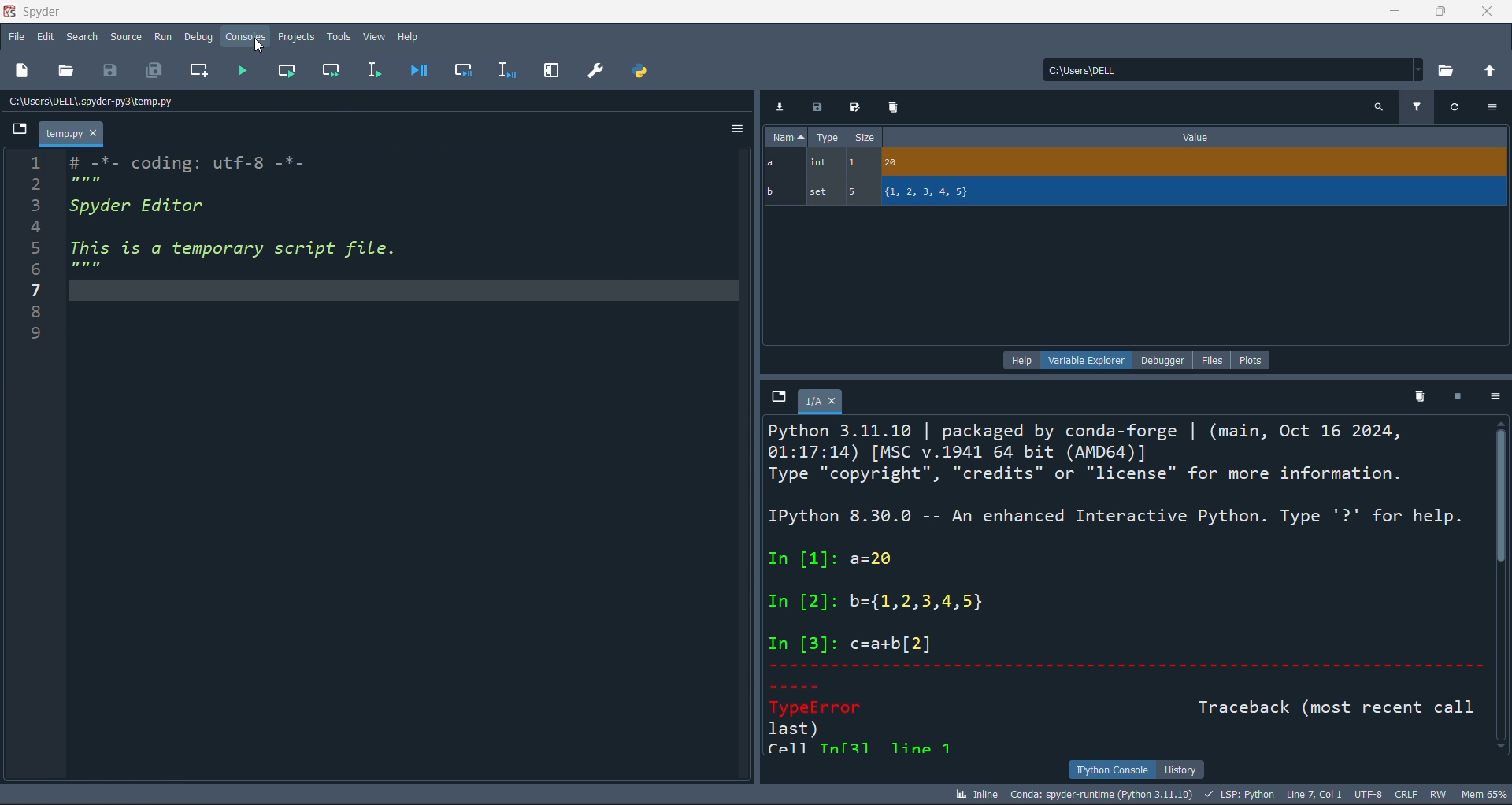  I want to click on RW, so click(1440, 794).